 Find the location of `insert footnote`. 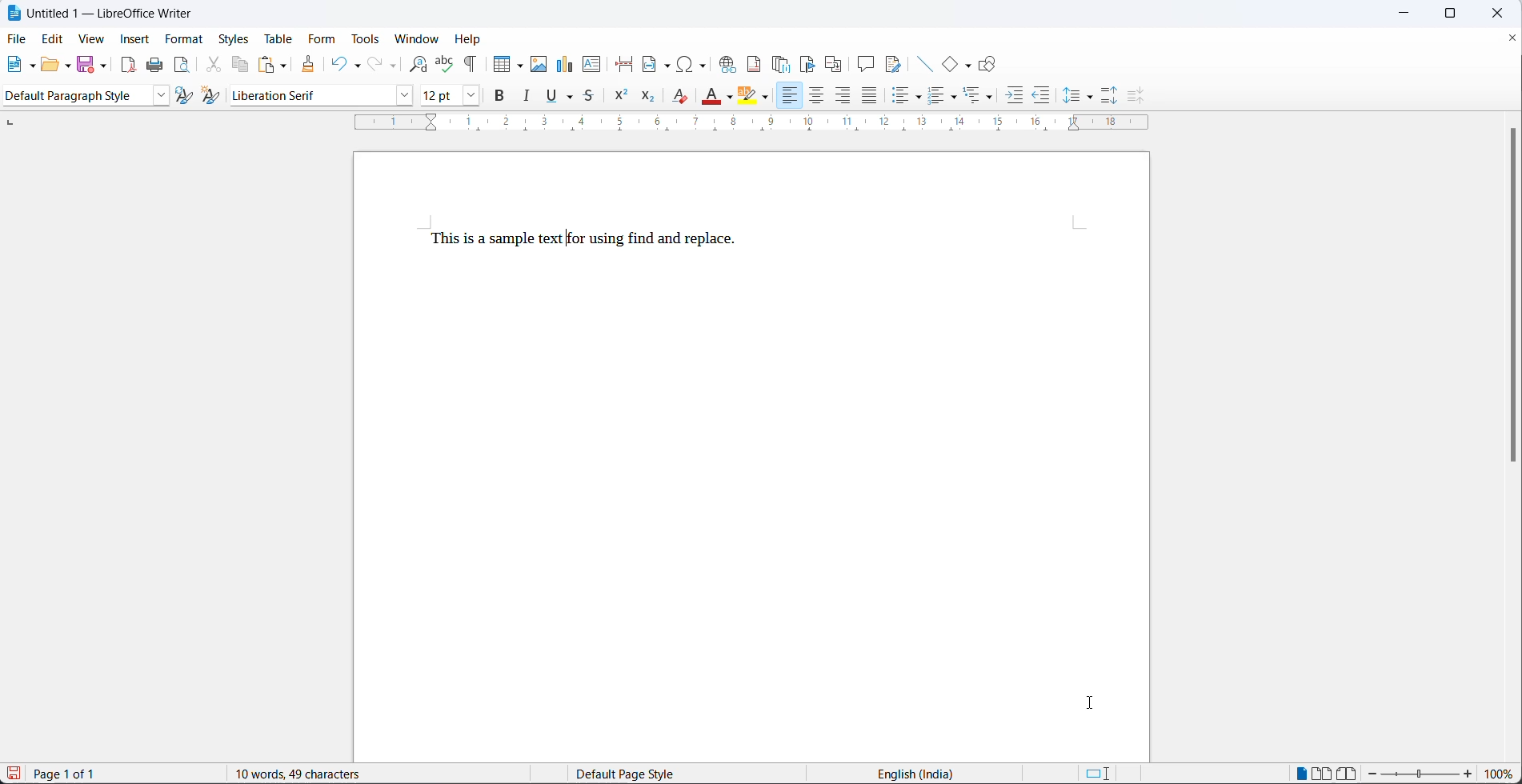

insert footnote is located at coordinates (756, 64).